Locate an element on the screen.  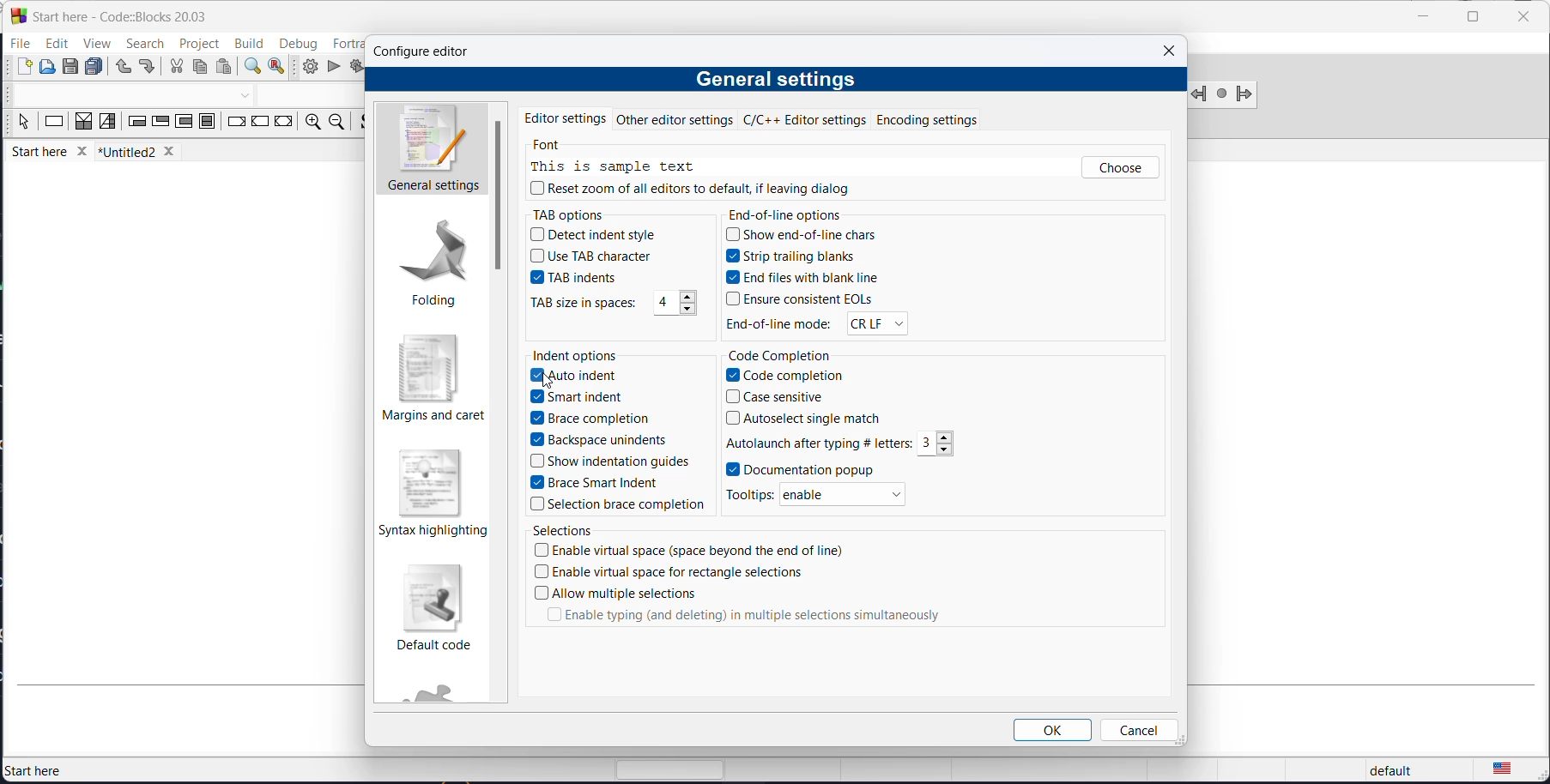
autolaunch decrement is located at coordinates (950, 449).